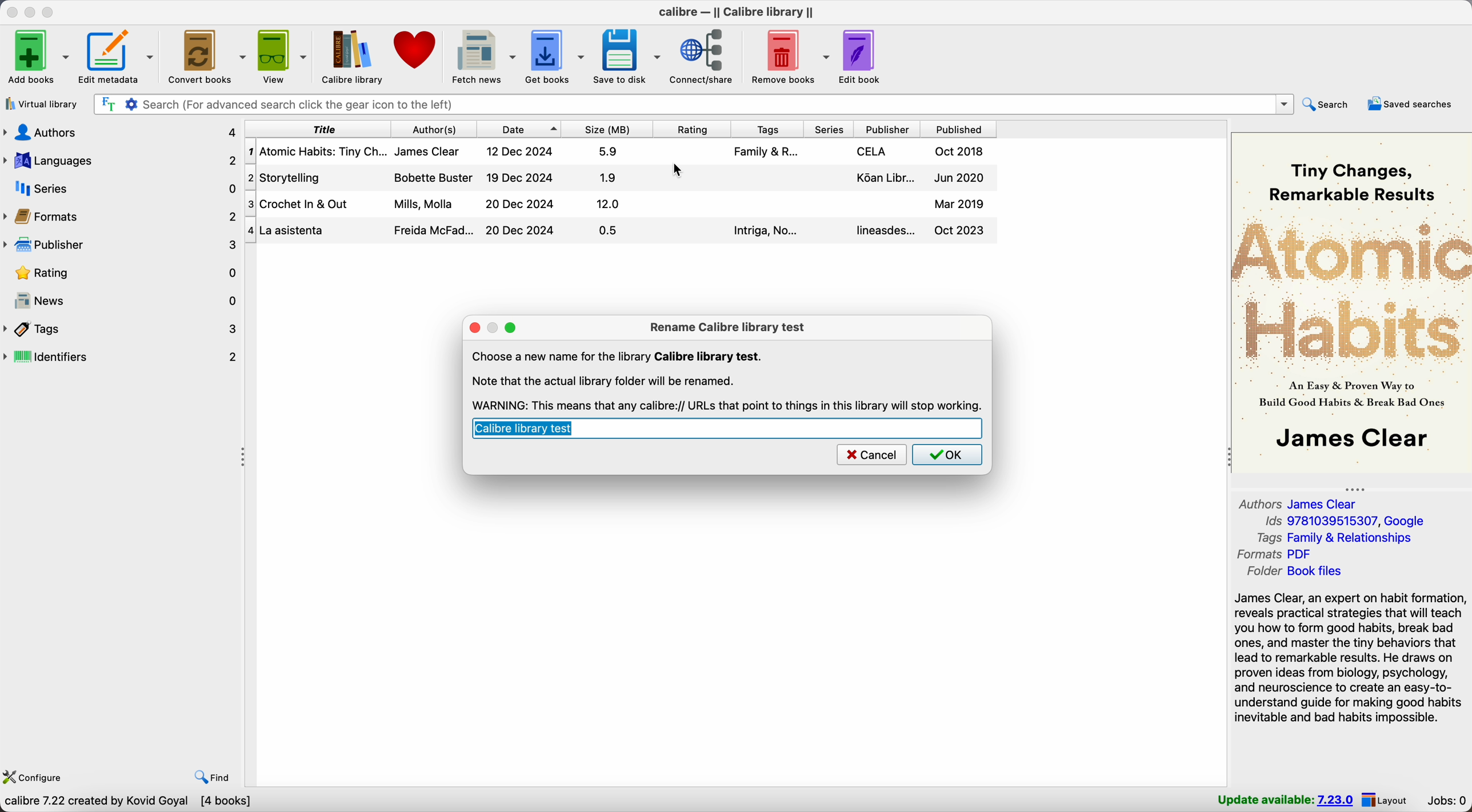  I want to click on series, so click(829, 130).